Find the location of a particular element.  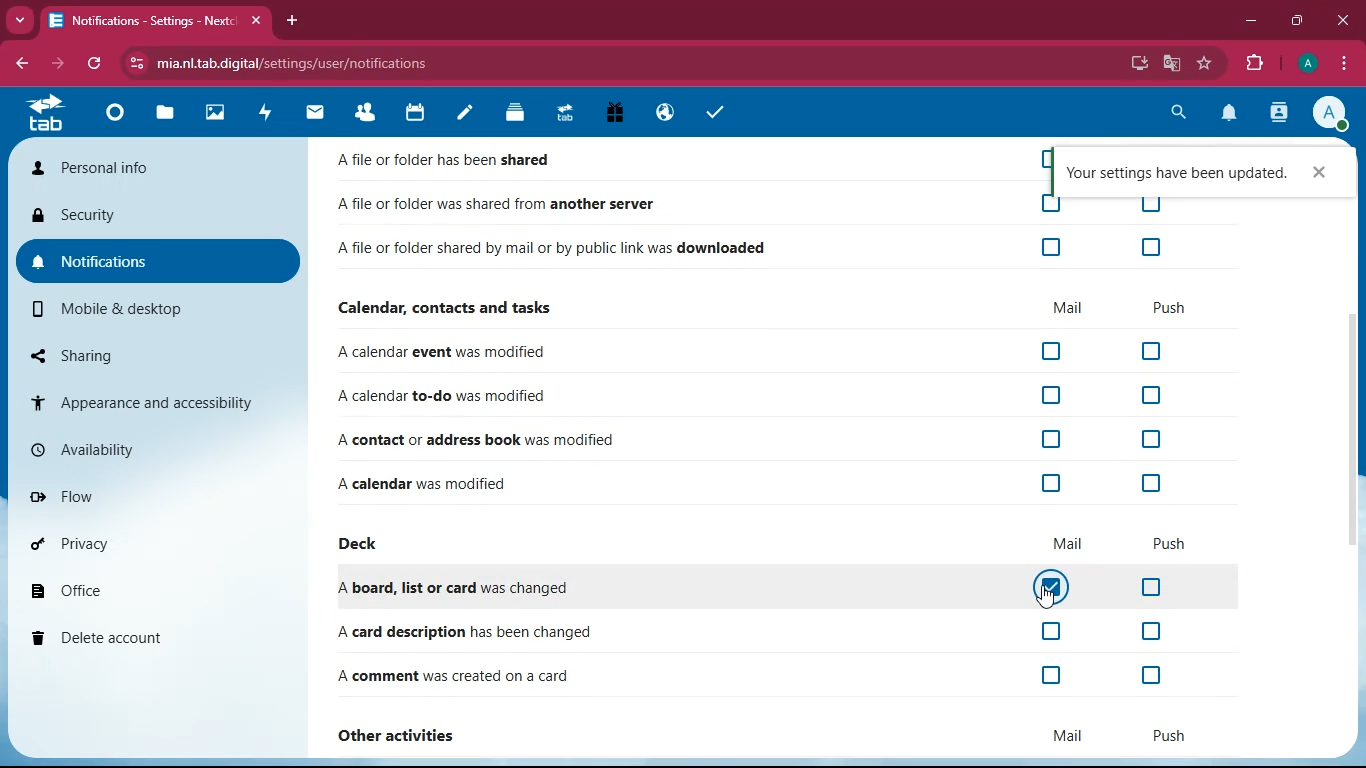

push is located at coordinates (1170, 729).